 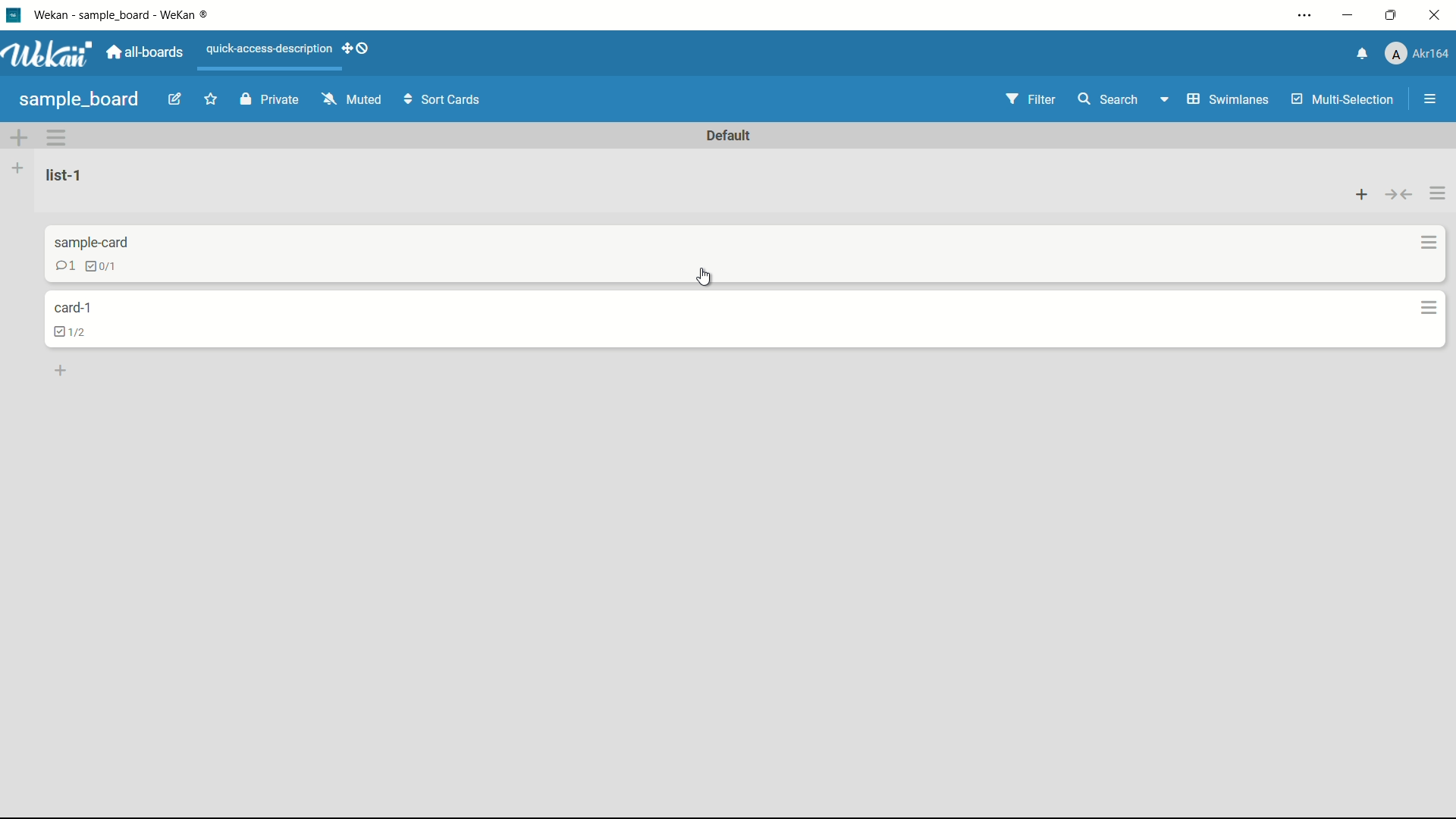 I want to click on multi-selection, so click(x=1343, y=99).